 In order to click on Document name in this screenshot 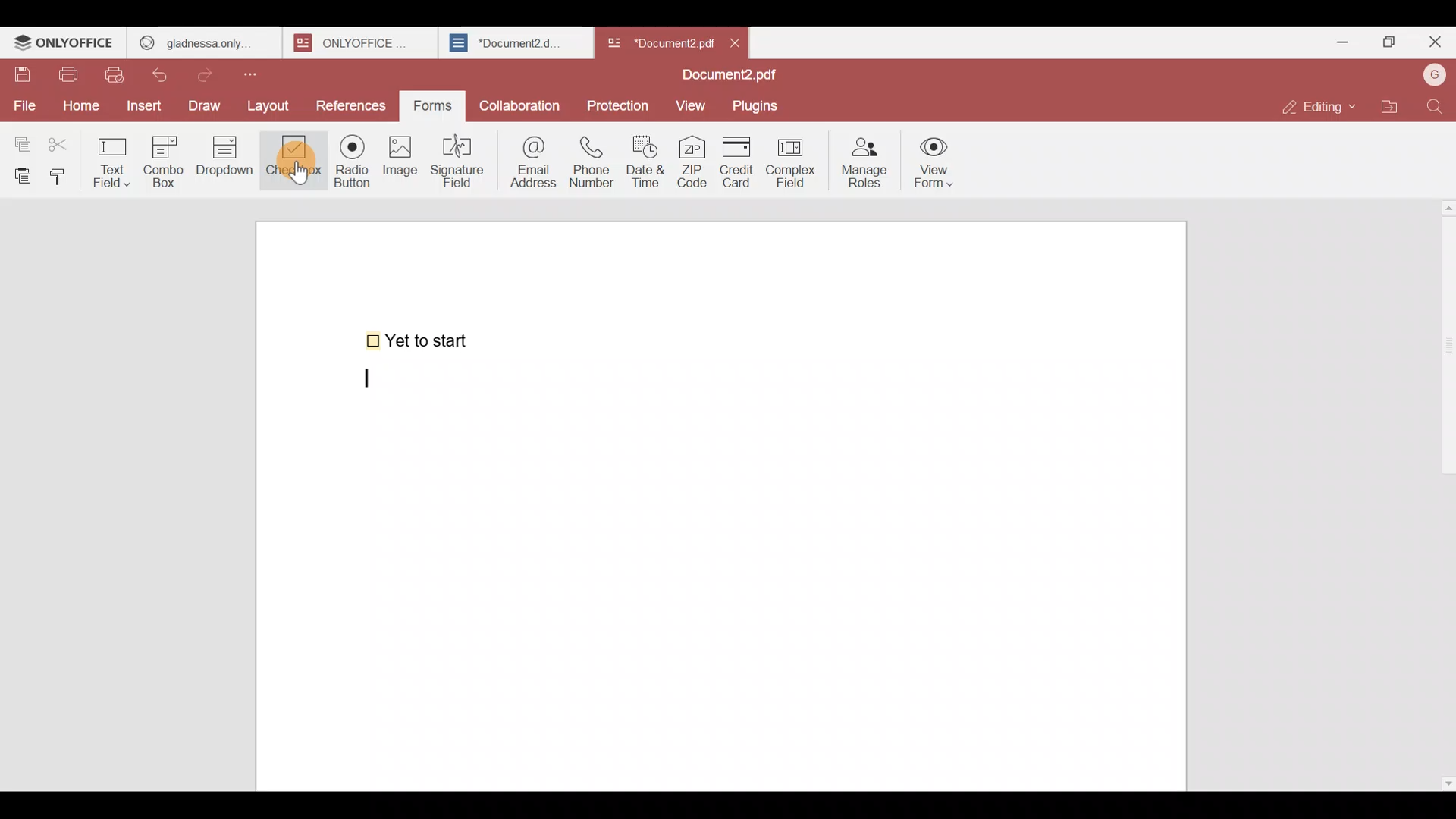, I will do `click(659, 39)`.